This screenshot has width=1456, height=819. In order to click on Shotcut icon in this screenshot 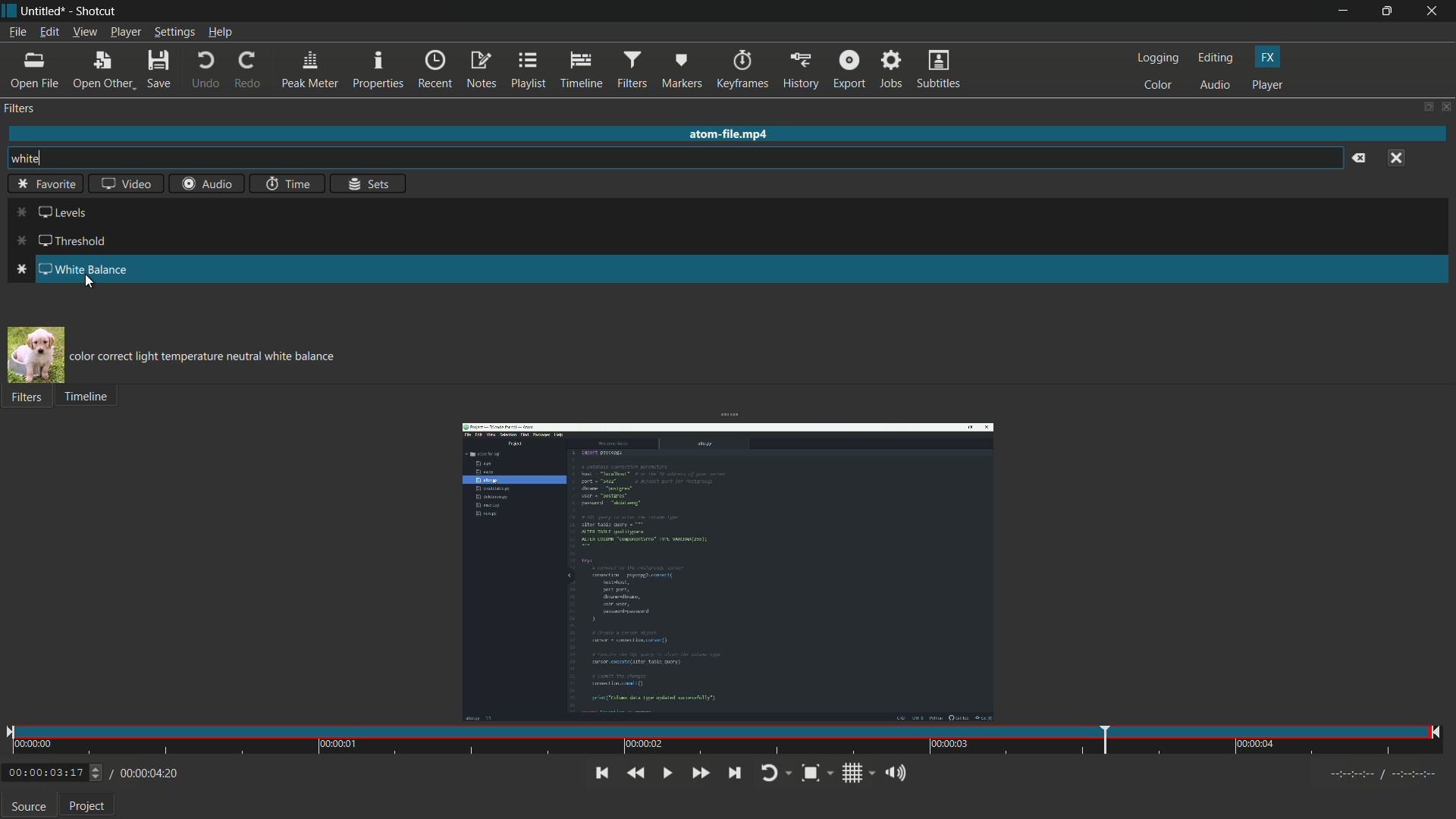, I will do `click(8, 11)`.